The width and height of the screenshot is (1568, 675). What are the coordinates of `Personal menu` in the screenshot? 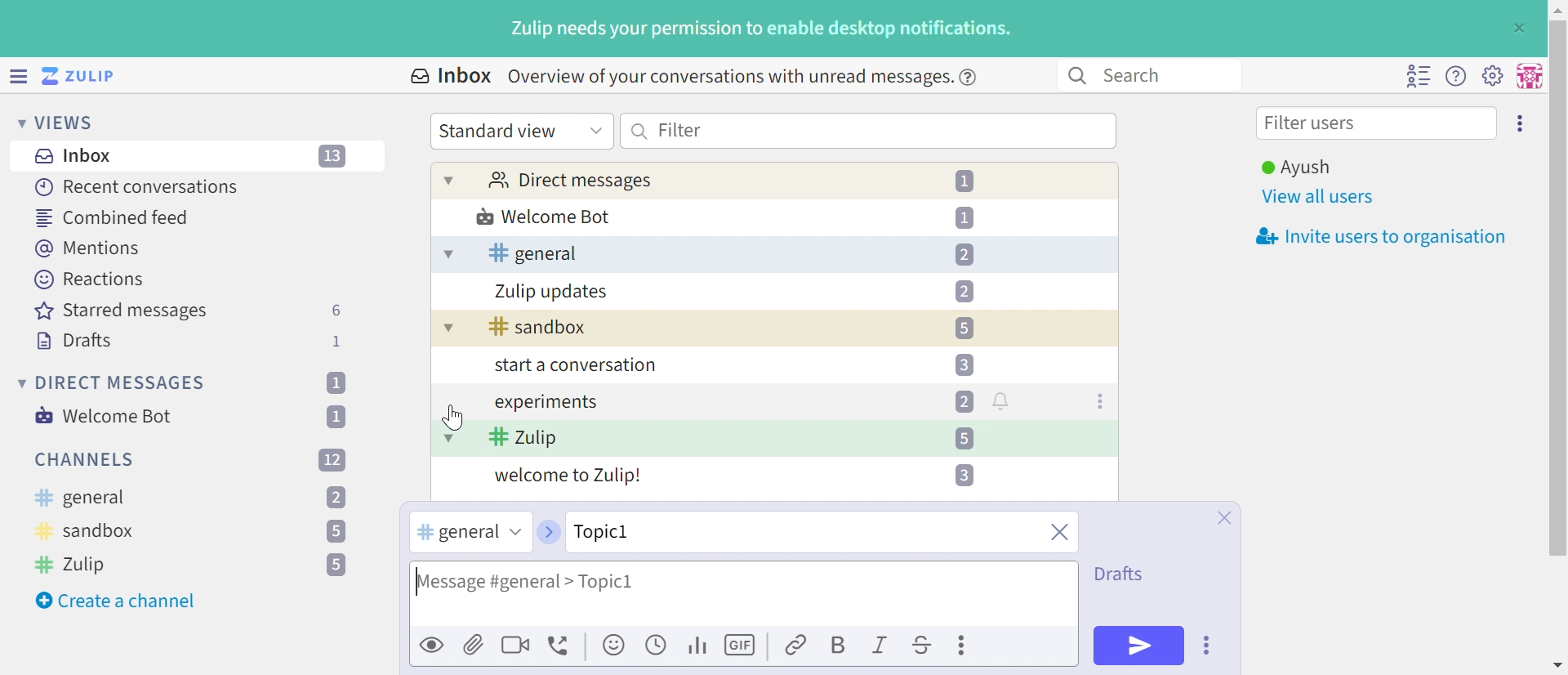 It's located at (1527, 76).